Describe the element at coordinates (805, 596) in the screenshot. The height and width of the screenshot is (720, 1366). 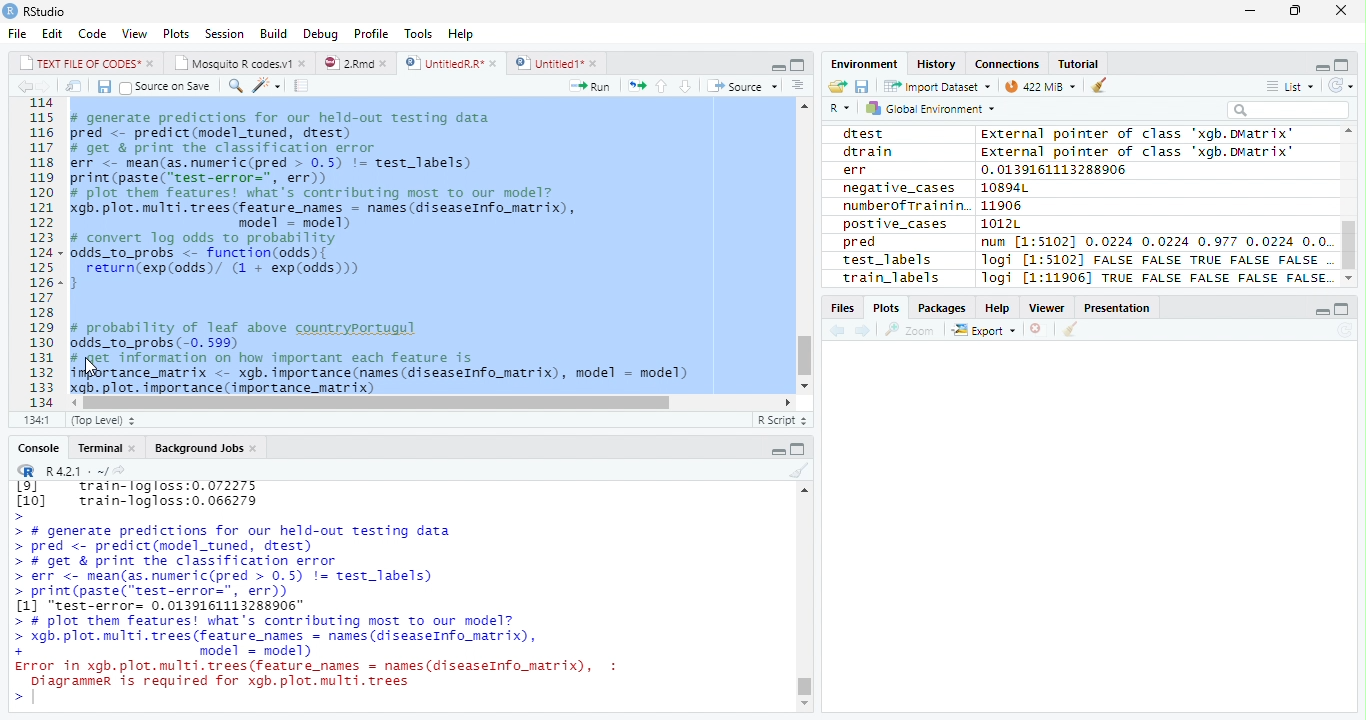
I see `Scroll` at that location.